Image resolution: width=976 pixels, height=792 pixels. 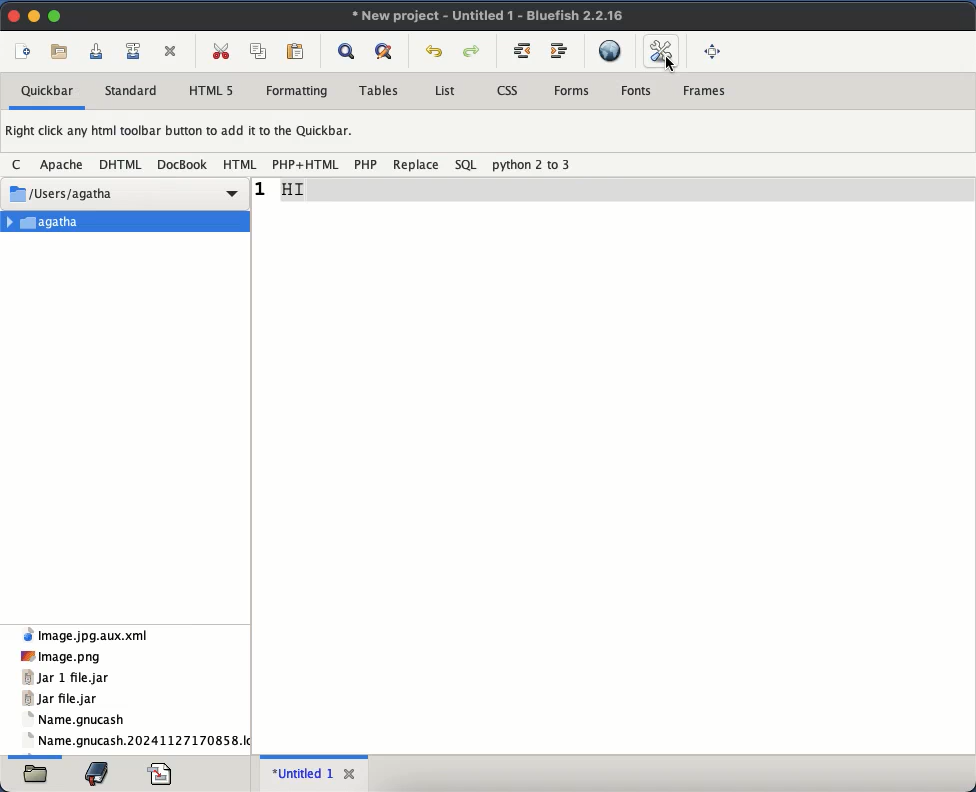 I want to click on open file, so click(x=62, y=53).